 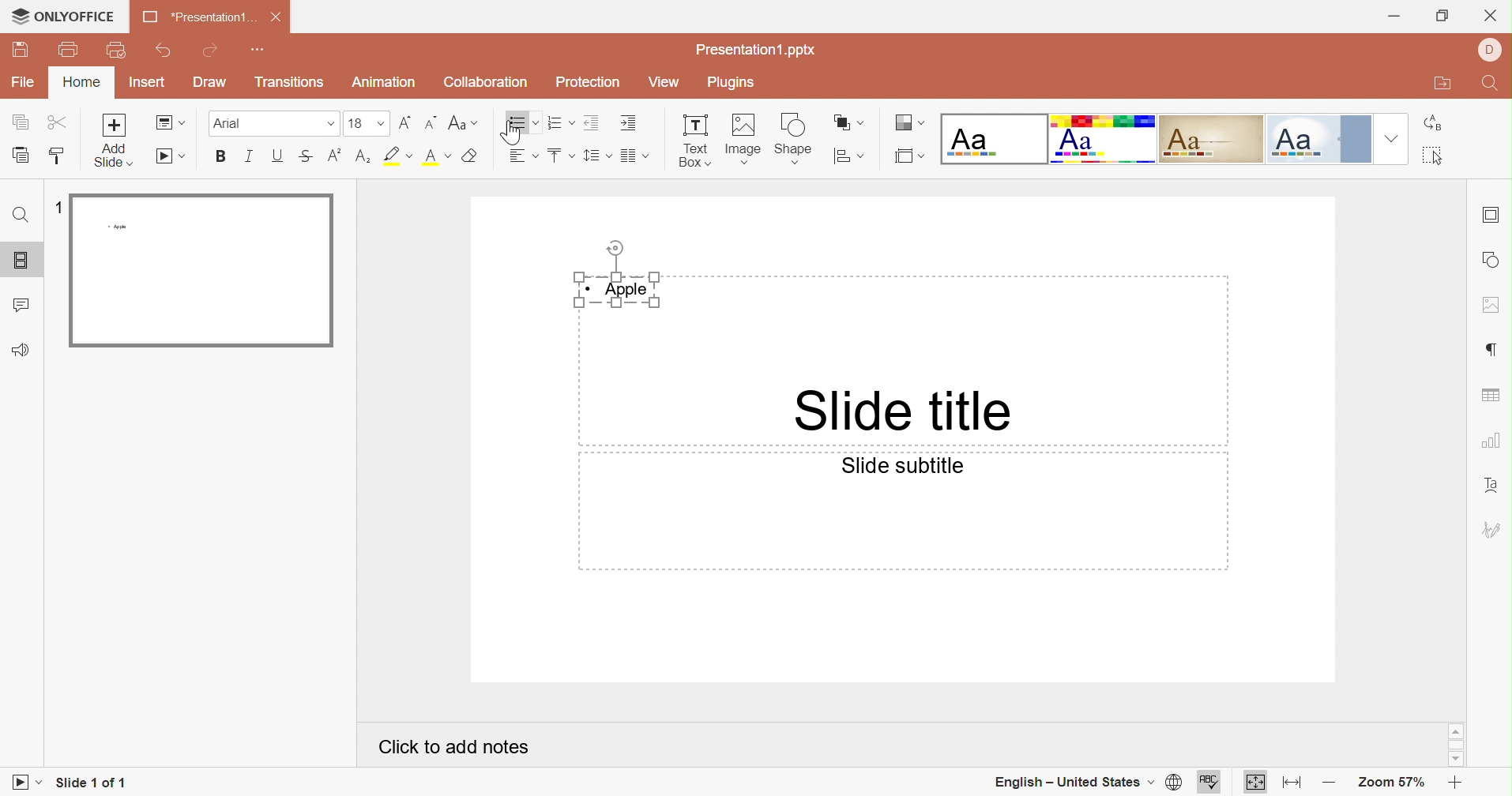 What do you see at coordinates (171, 157) in the screenshot?
I see `Start slideshow` at bounding box center [171, 157].